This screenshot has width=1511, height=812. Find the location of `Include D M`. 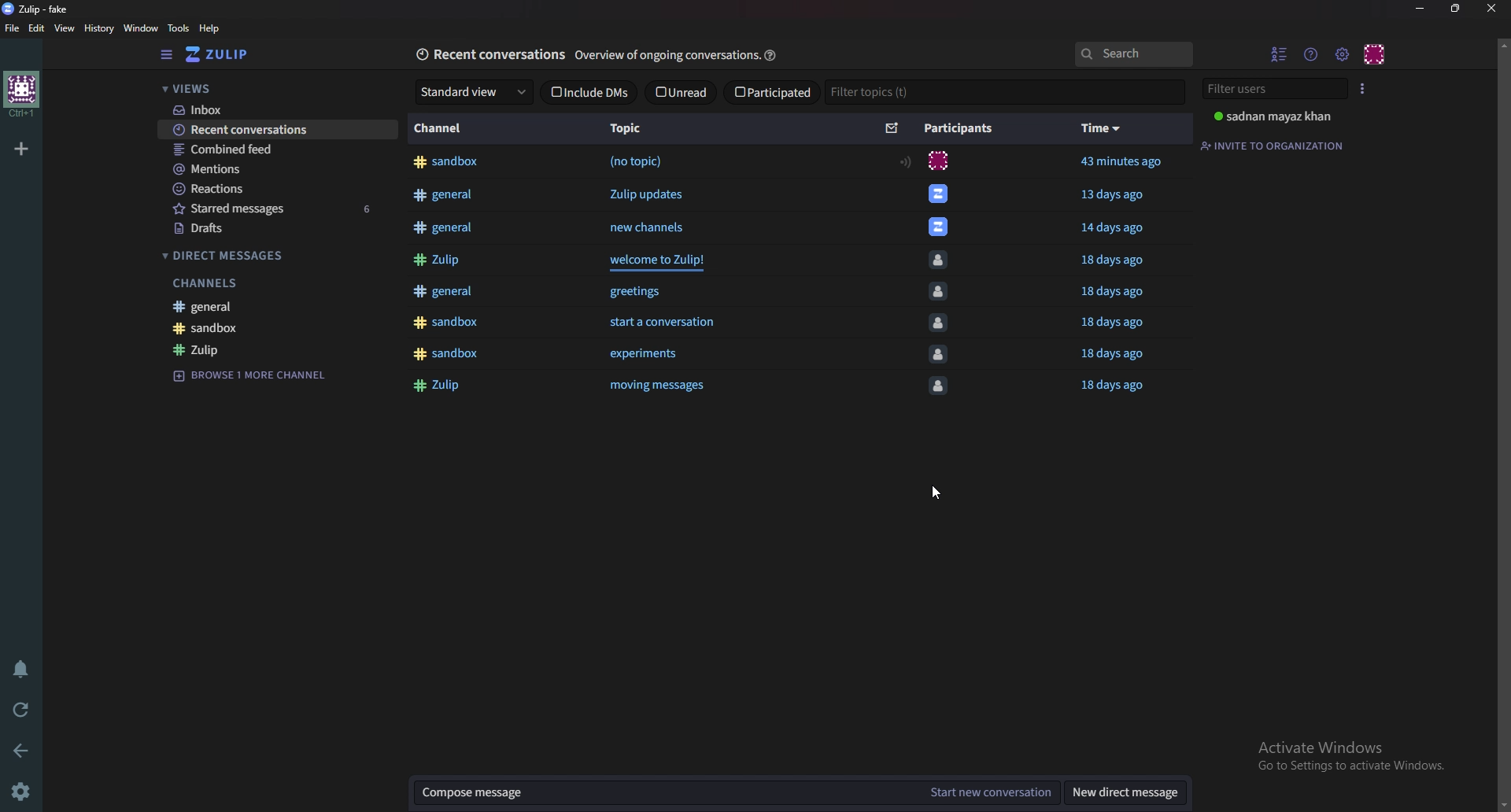

Include D M is located at coordinates (589, 94).